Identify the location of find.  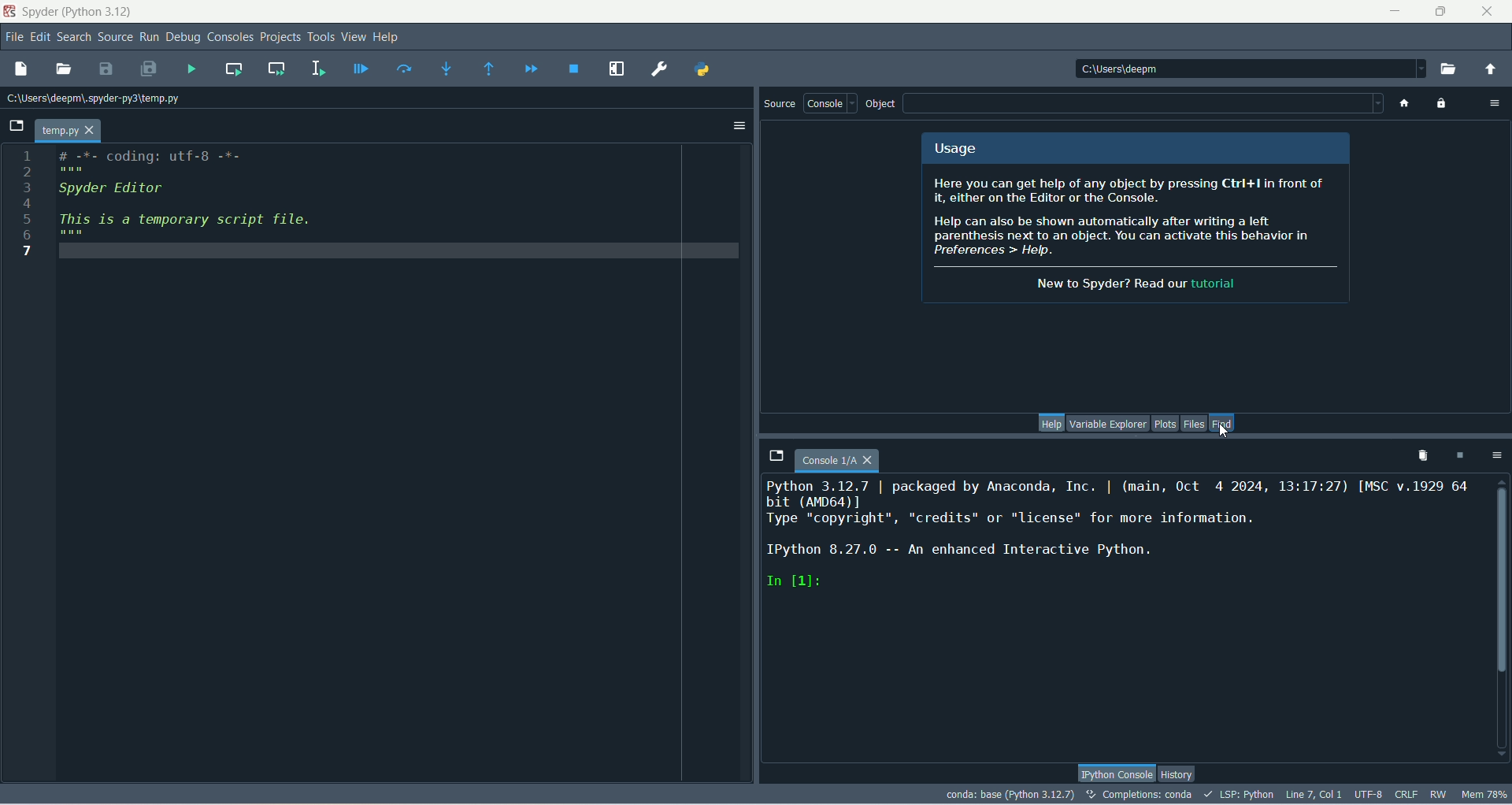
(1223, 422).